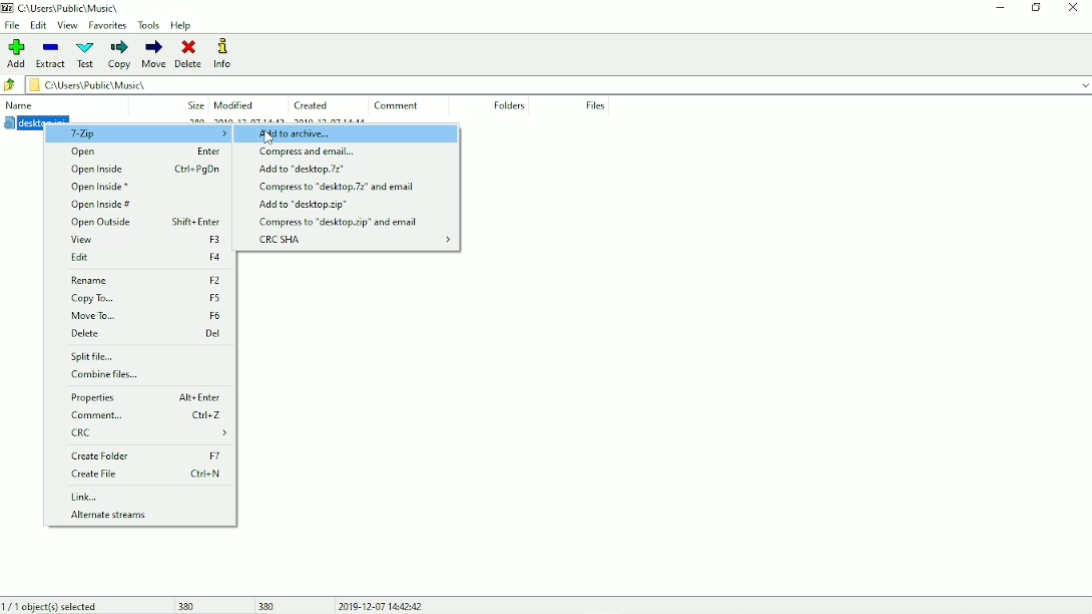  Describe the element at coordinates (17, 53) in the screenshot. I see `Add` at that location.